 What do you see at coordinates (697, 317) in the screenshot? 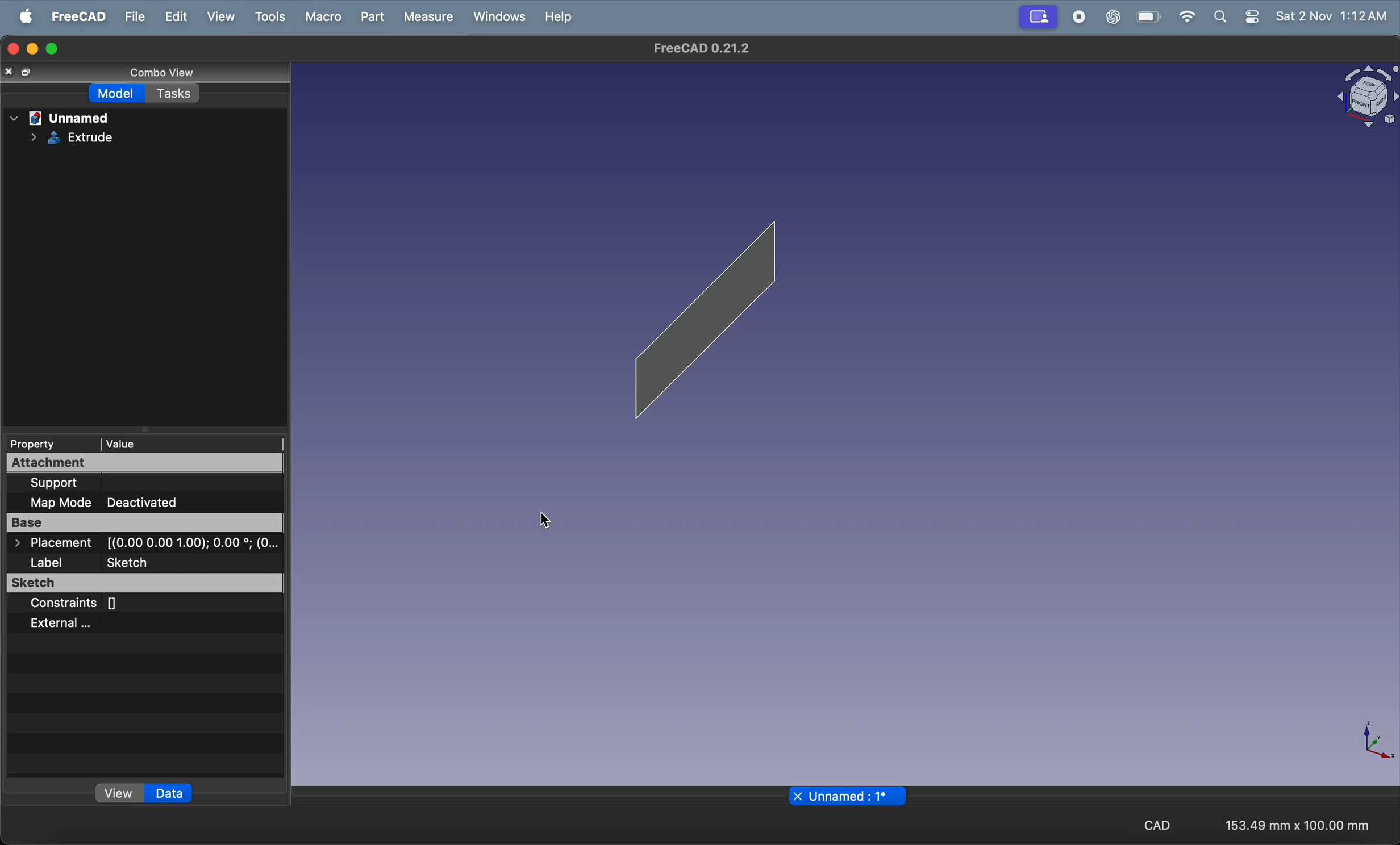
I see `beam` at bounding box center [697, 317].